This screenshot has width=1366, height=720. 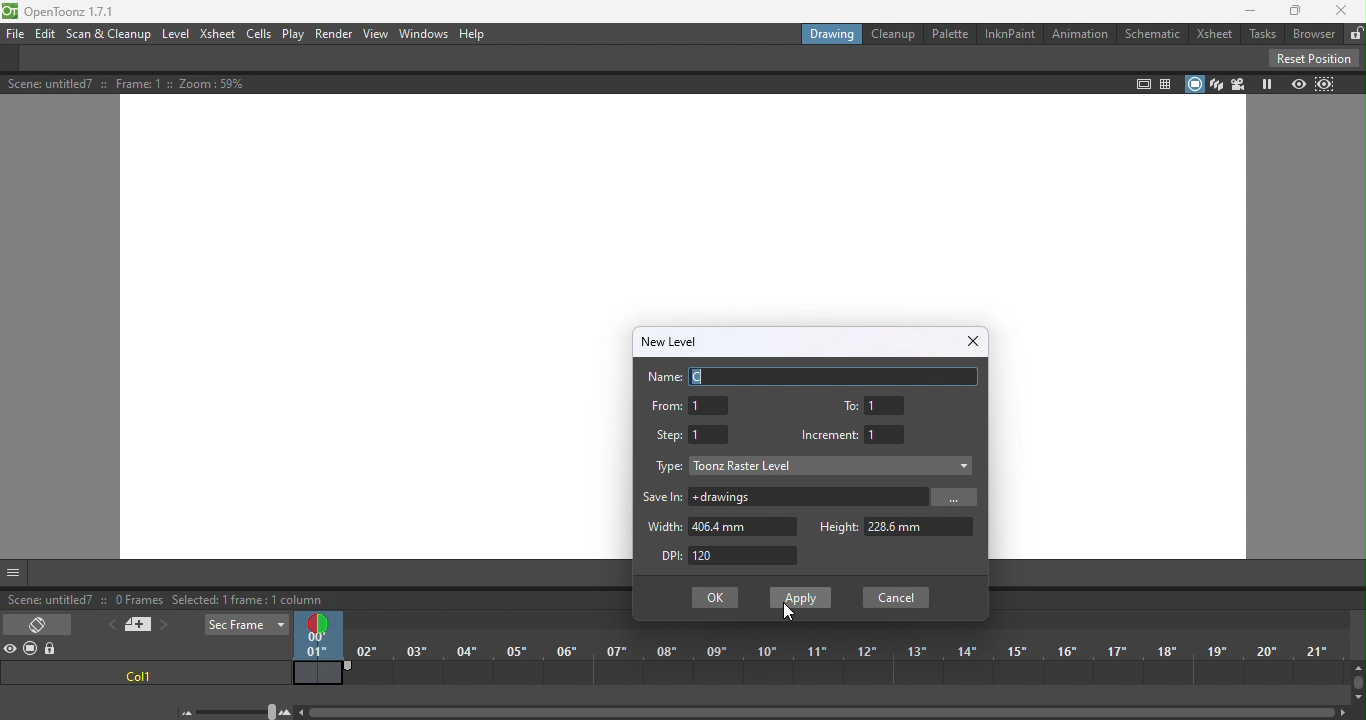 What do you see at coordinates (49, 601) in the screenshot?
I see `scene: untitled7` at bounding box center [49, 601].